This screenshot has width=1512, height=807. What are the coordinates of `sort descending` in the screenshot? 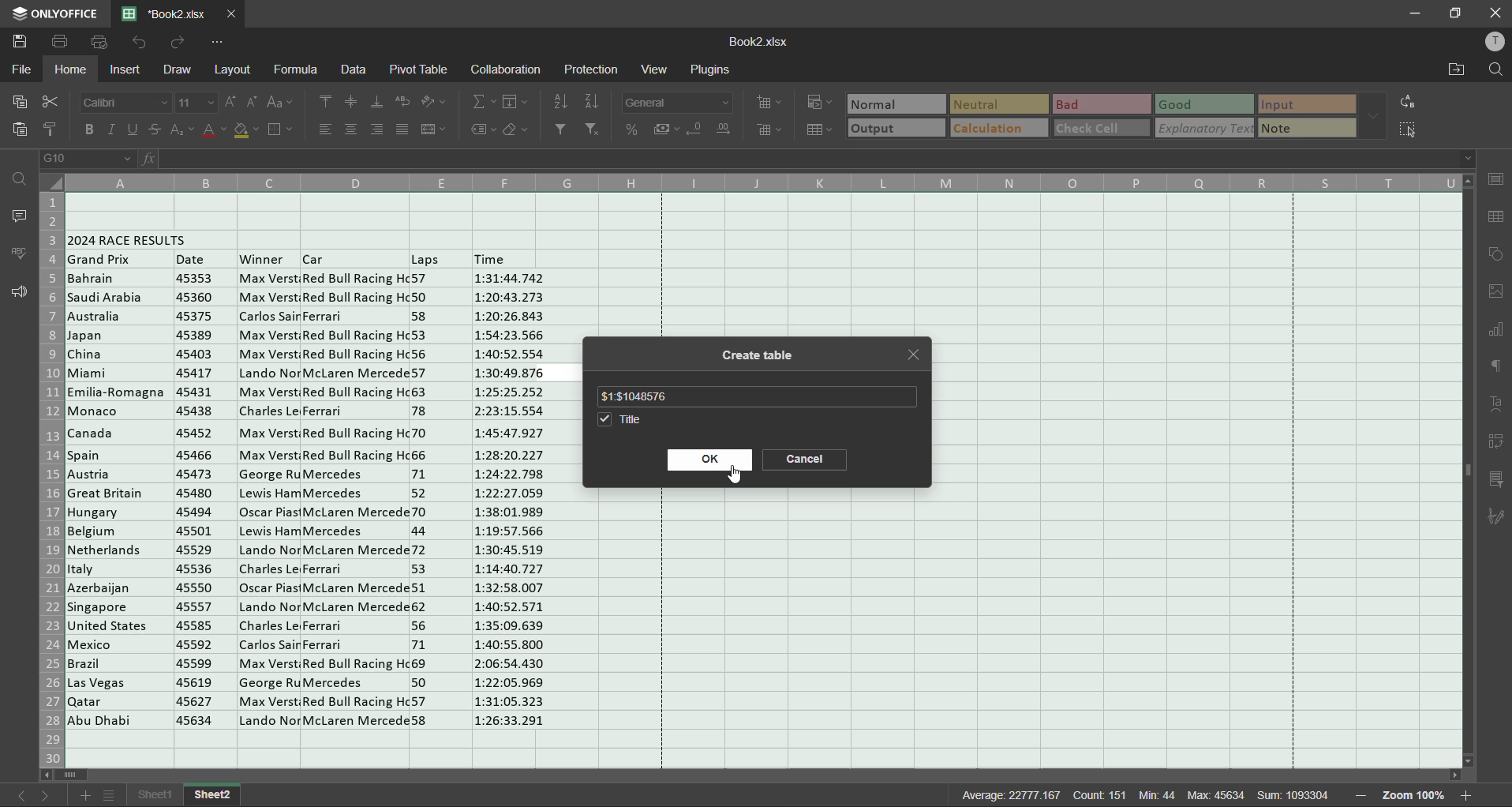 It's located at (592, 102).